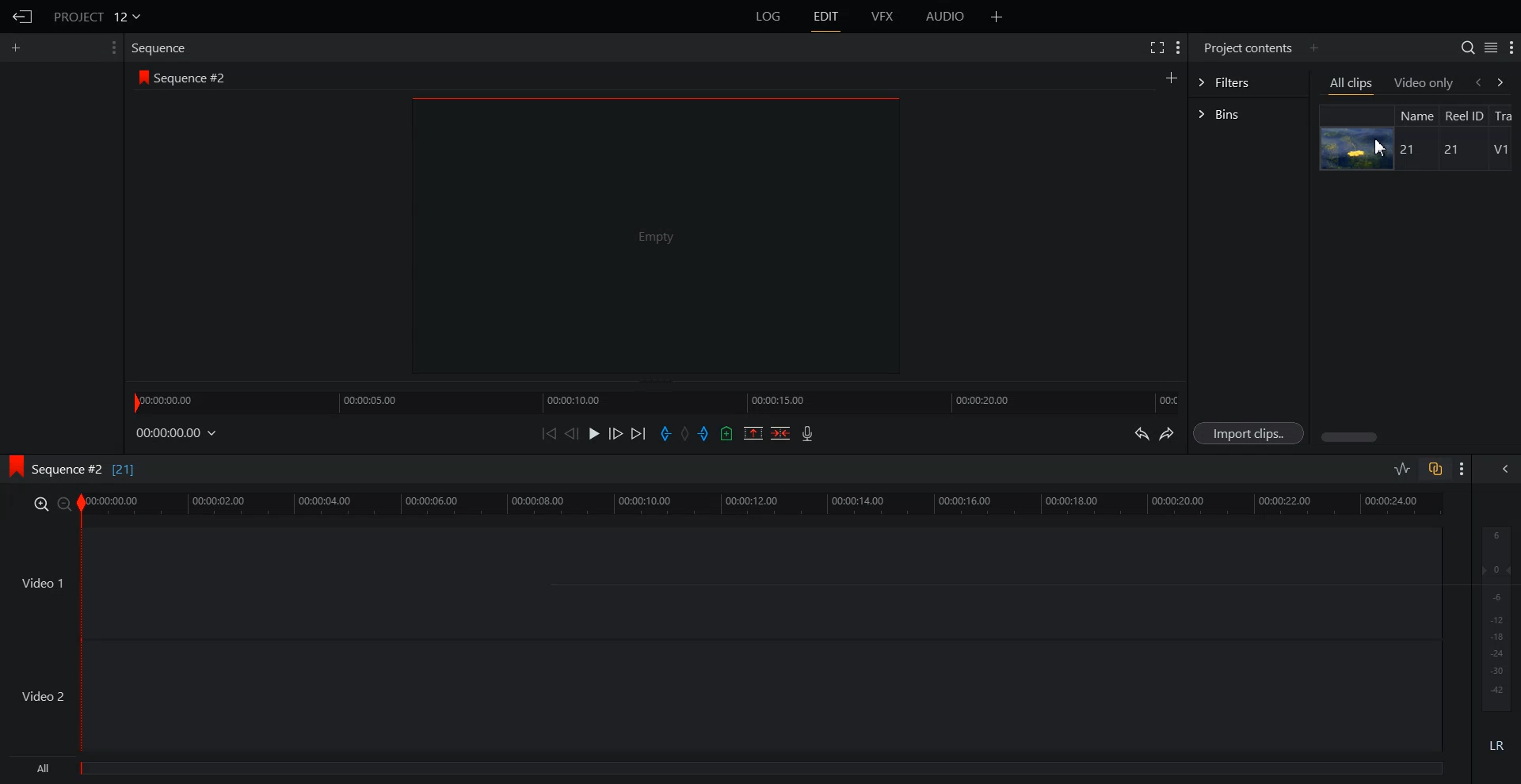 Image resolution: width=1521 pixels, height=784 pixels. I want to click on Toggle between list and tile view, so click(1490, 47).